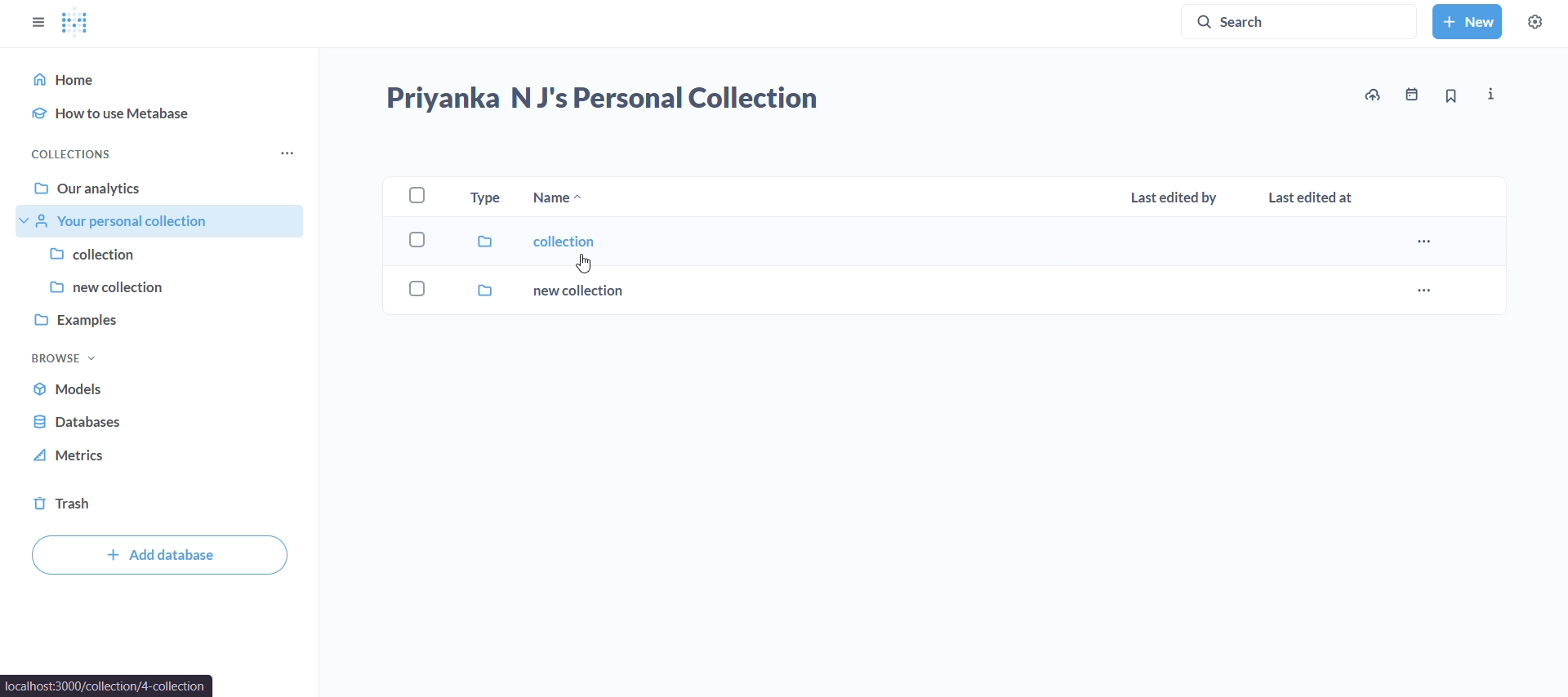 The image size is (1568, 697). Describe the element at coordinates (62, 501) in the screenshot. I see `trash` at that location.